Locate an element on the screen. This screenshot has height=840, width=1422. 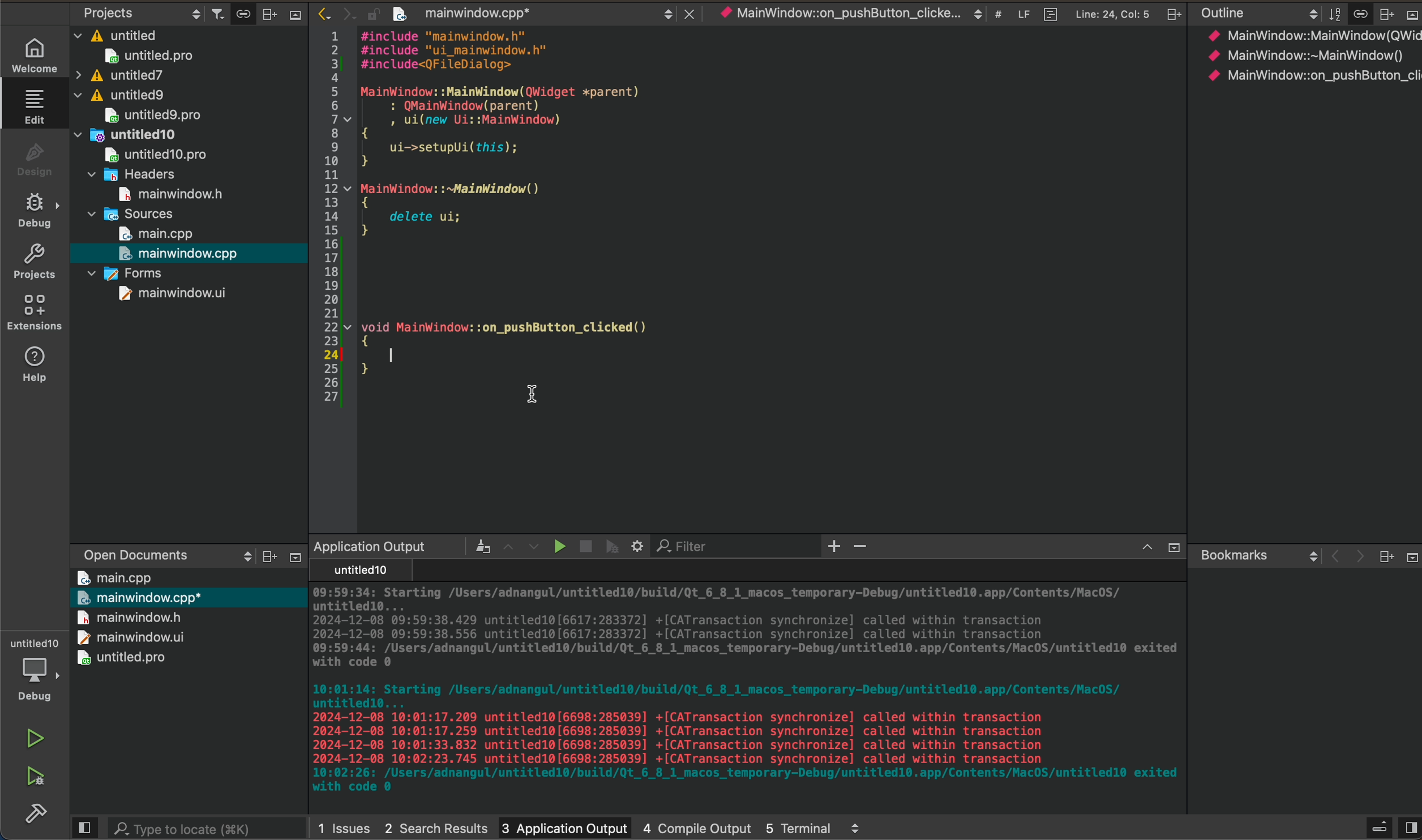
2 search results is located at coordinates (435, 824).